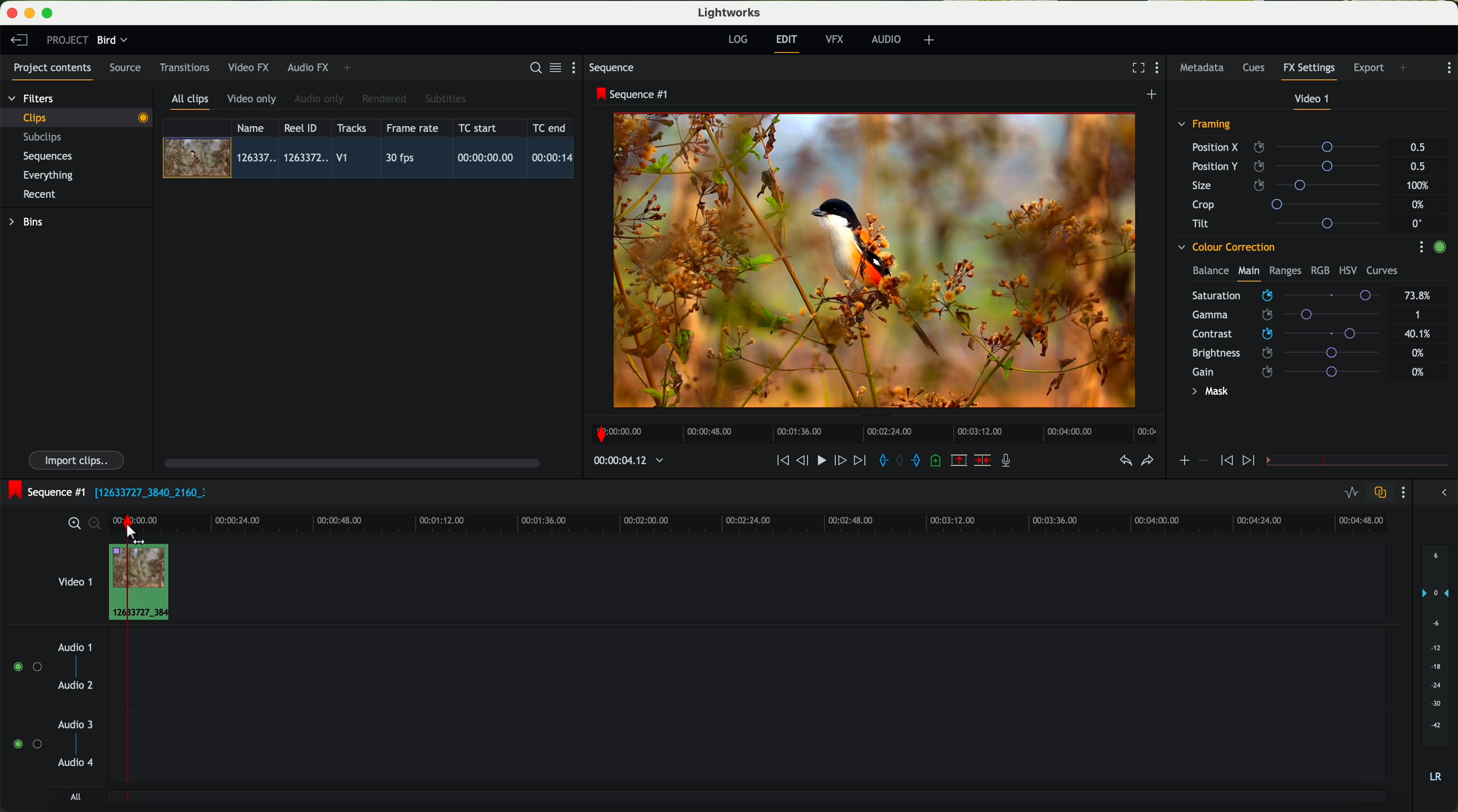  What do you see at coordinates (479, 127) in the screenshot?
I see `TC start` at bounding box center [479, 127].